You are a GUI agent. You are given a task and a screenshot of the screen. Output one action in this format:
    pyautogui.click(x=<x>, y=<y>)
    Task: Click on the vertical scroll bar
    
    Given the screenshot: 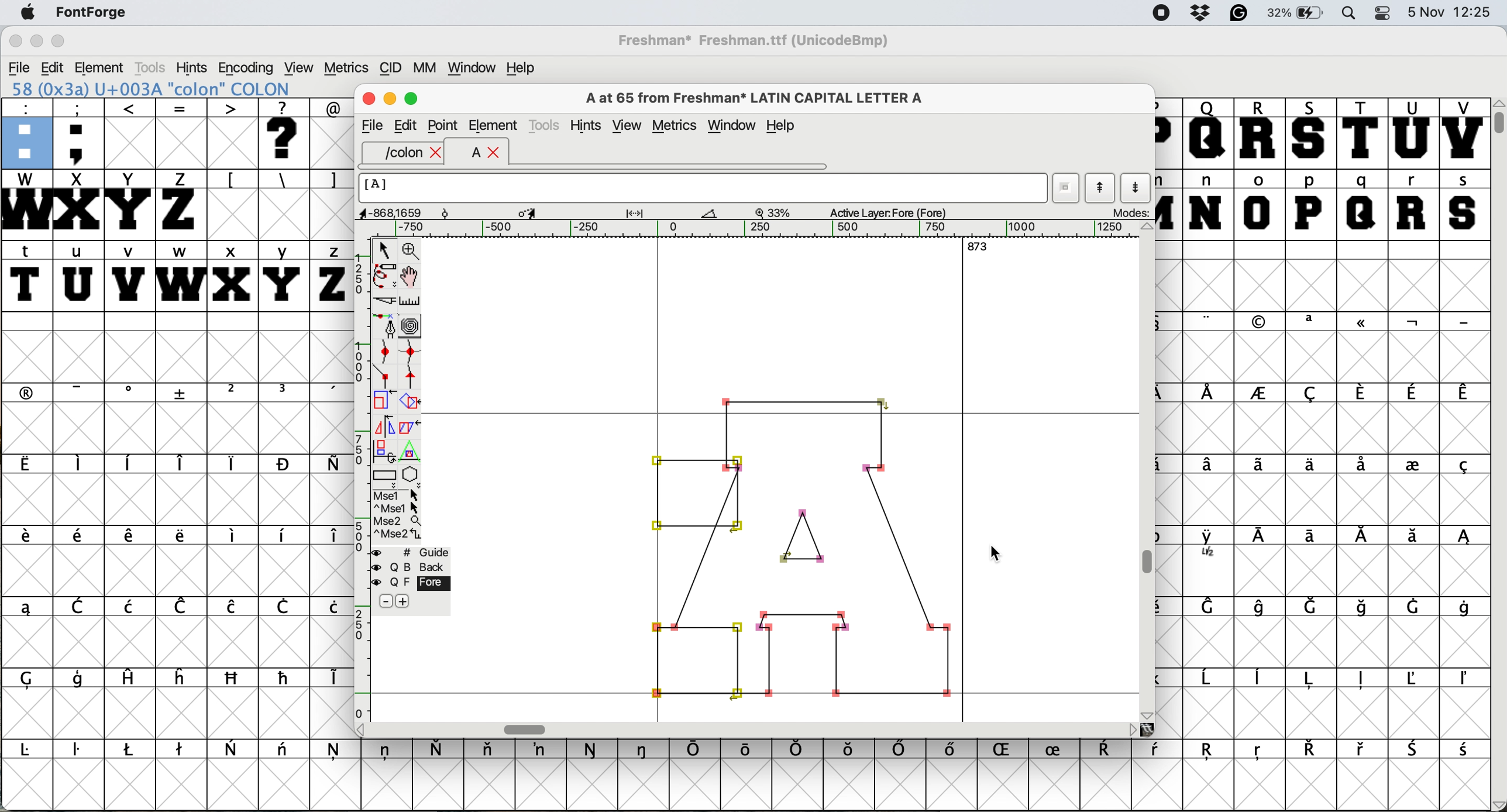 What is the action you would take?
    pyautogui.click(x=1498, y=455)
    